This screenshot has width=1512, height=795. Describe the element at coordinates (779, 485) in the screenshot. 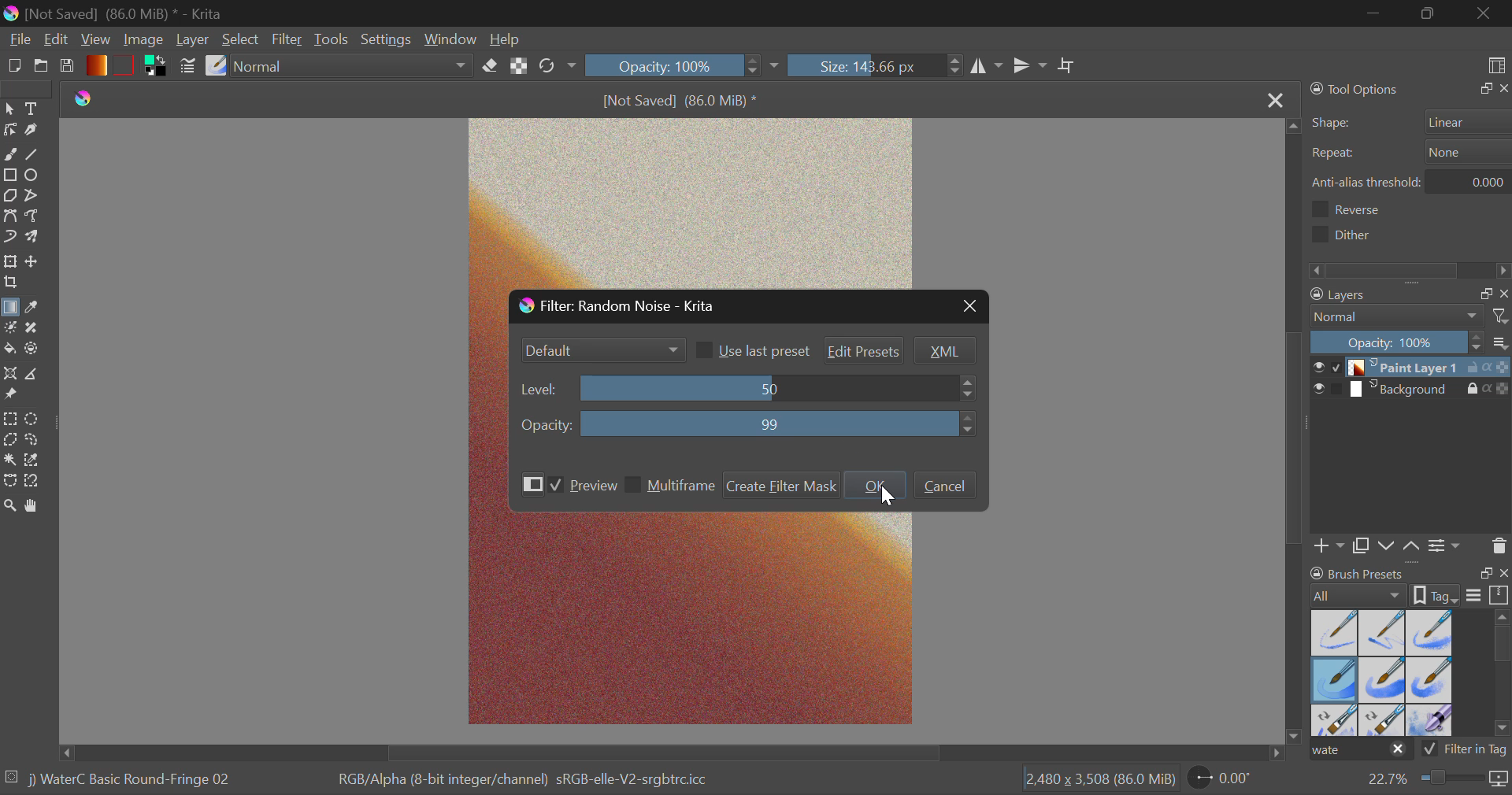

I see `Create Filter Mask` at that location.